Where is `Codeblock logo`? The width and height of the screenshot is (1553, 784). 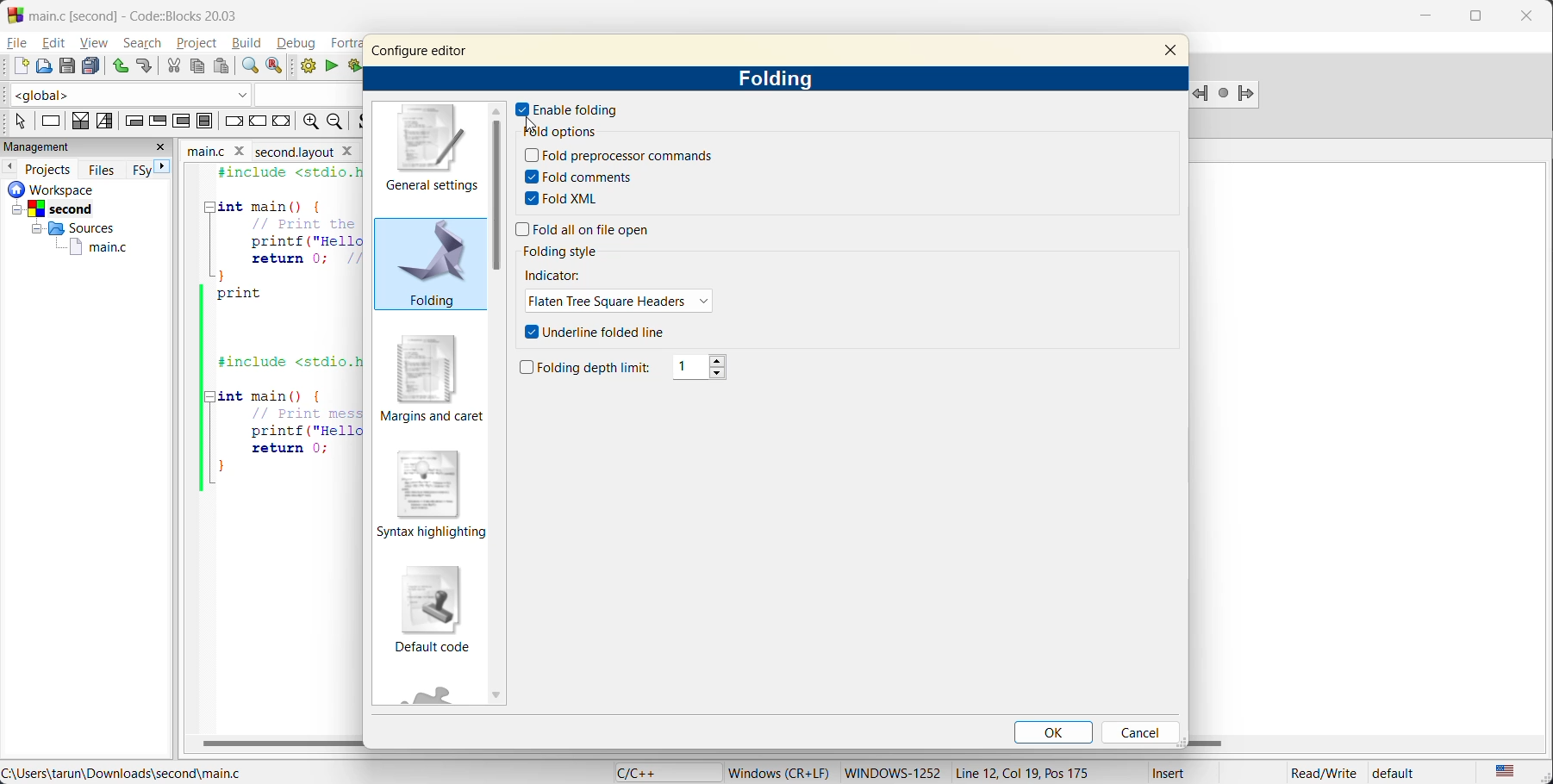 Codeblock logo is located at coordinates (12, 14).